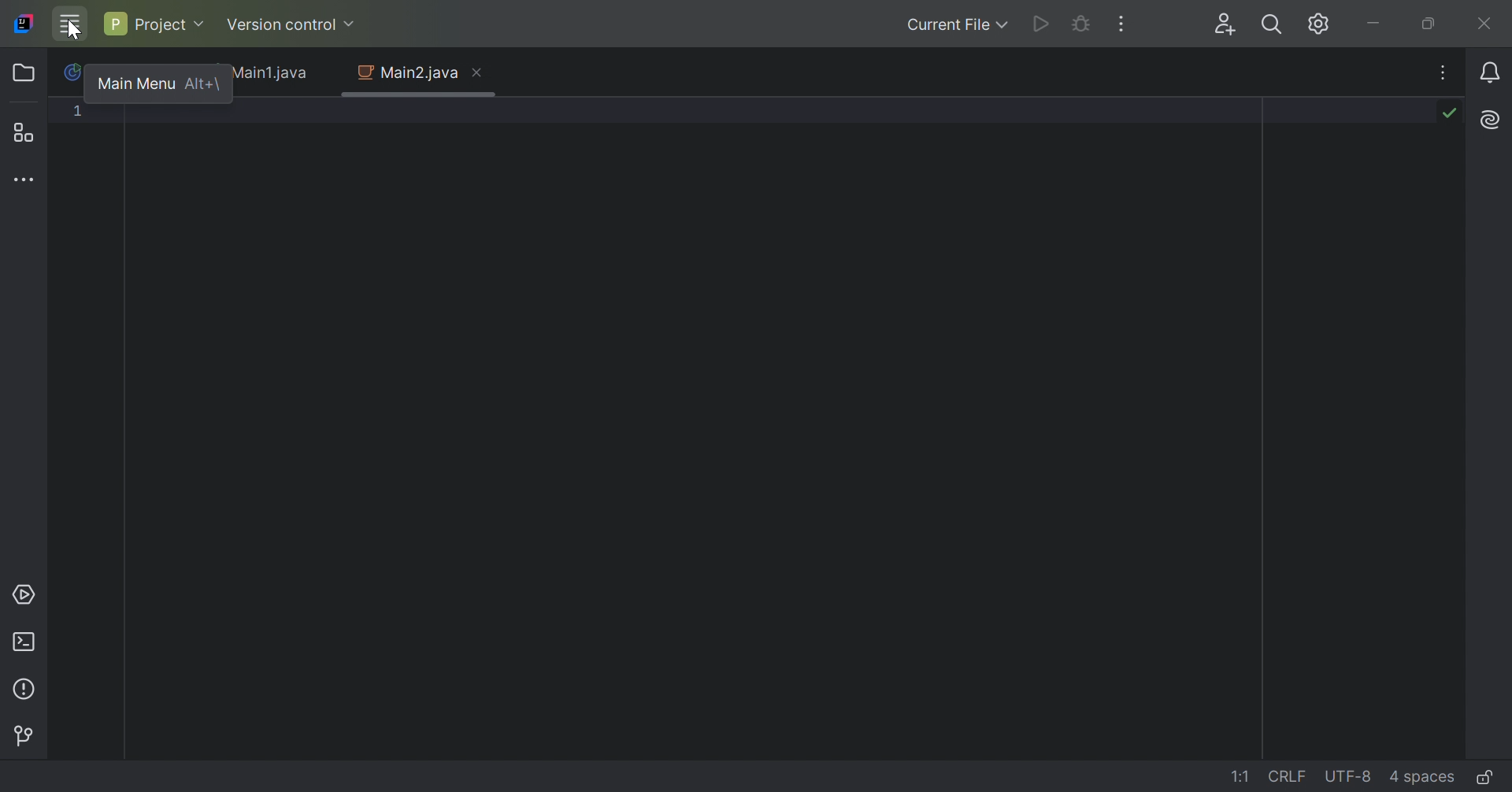 This screenshot has height=792, width=1512. What do you see at coordinates (1376, 23) in the screenshot?
I see `Minimize` at bounding box center [1376, 23].